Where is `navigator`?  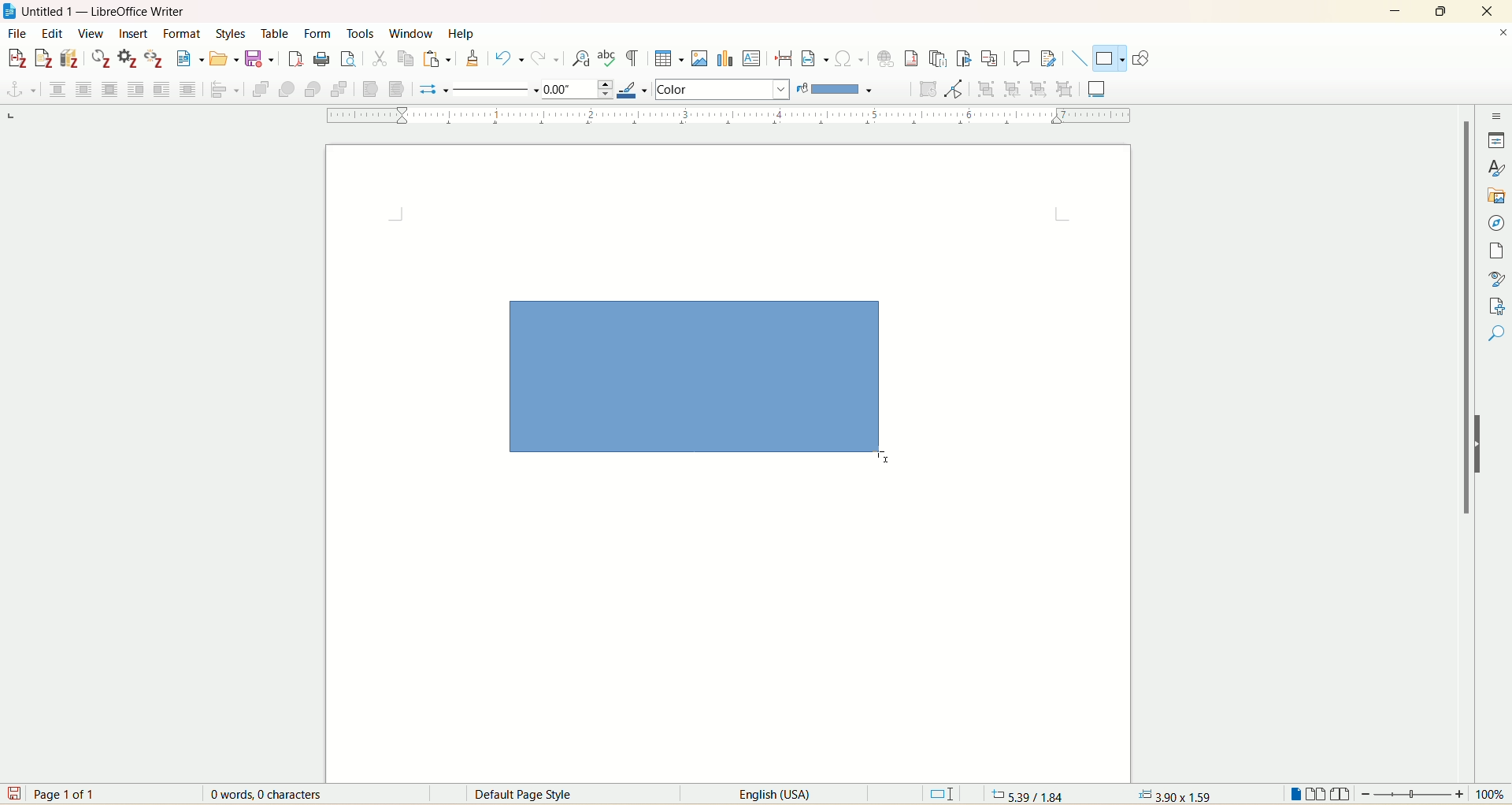
navigator is located at coordinates (1496, 224).